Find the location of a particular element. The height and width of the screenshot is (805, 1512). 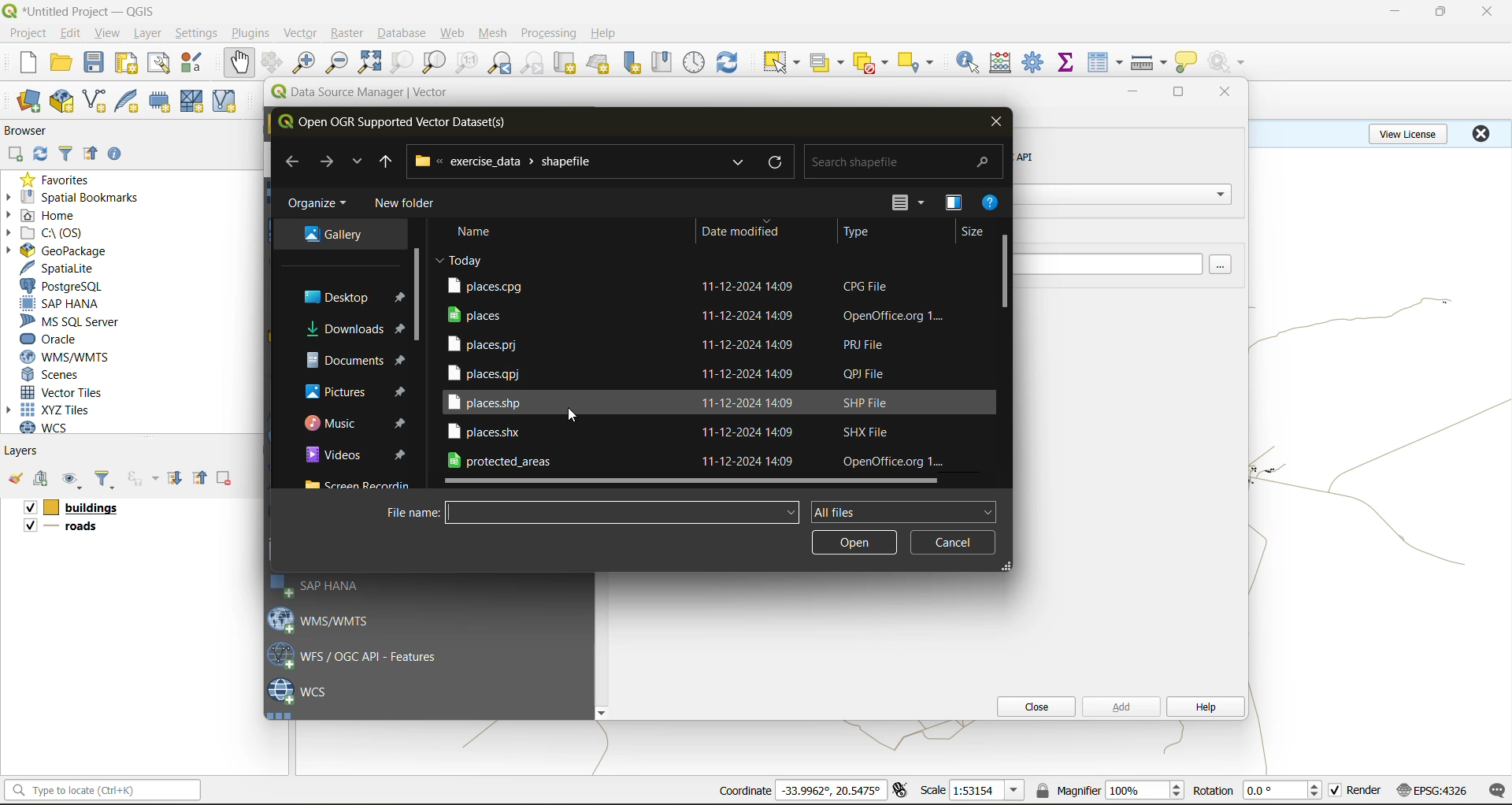

back is located at coordinates (292, 161).